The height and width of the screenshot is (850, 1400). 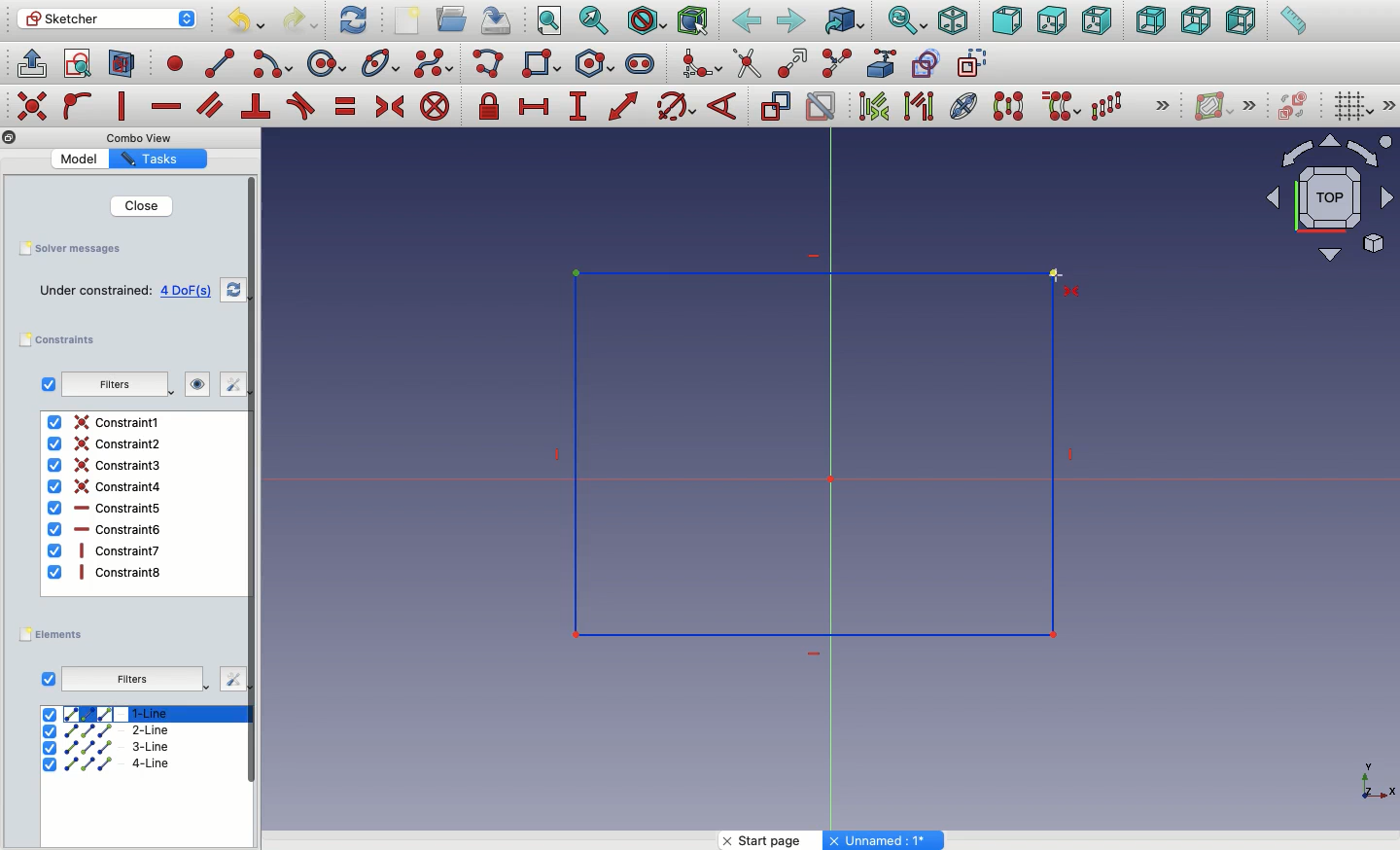 What do you see at coordinates (973, 62) in the screenshot?
I see `Toggle construction geometry` at bounding box center [973, 62].